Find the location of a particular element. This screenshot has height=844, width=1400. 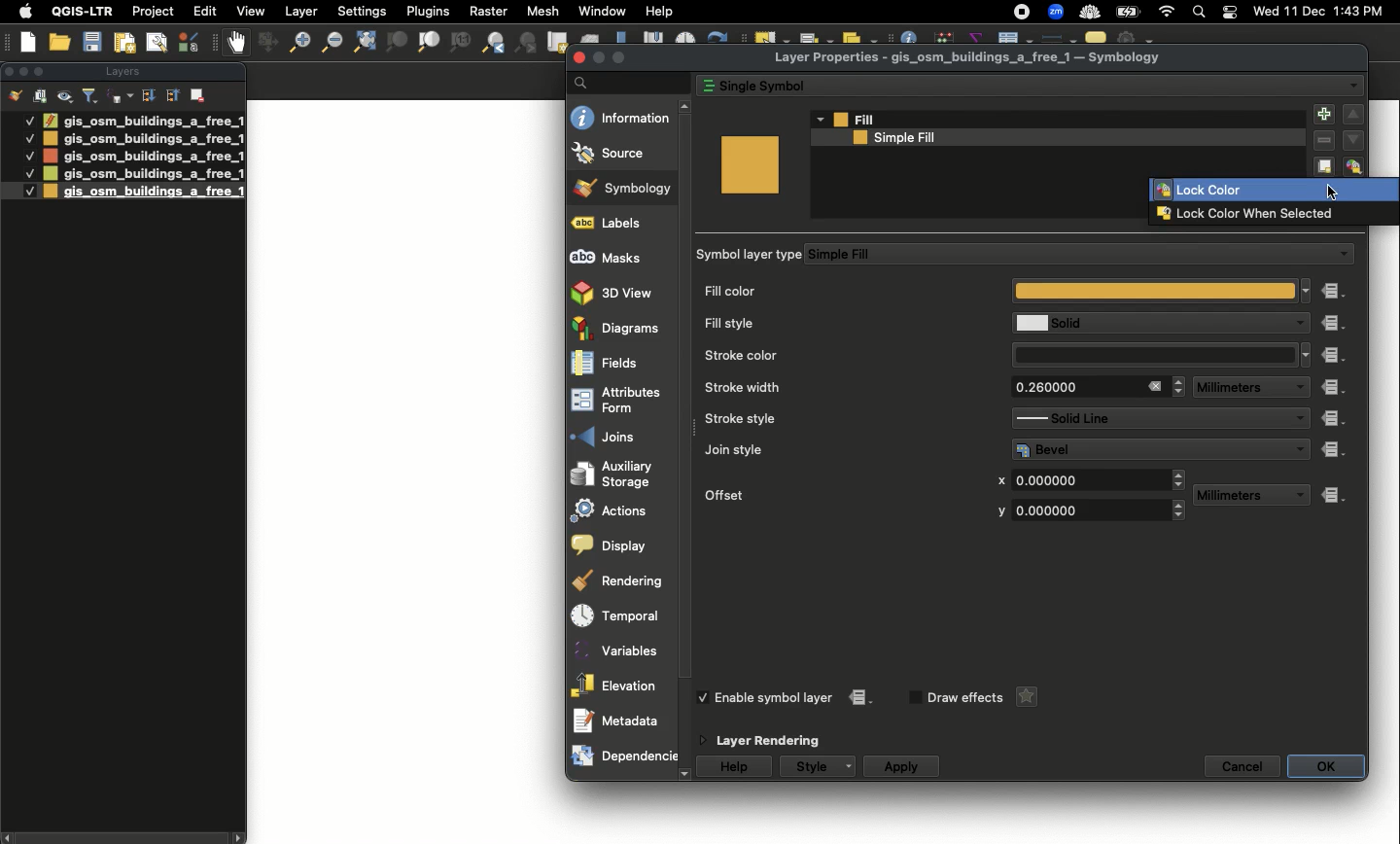

Bevel is located at coordinates (1147, 449).